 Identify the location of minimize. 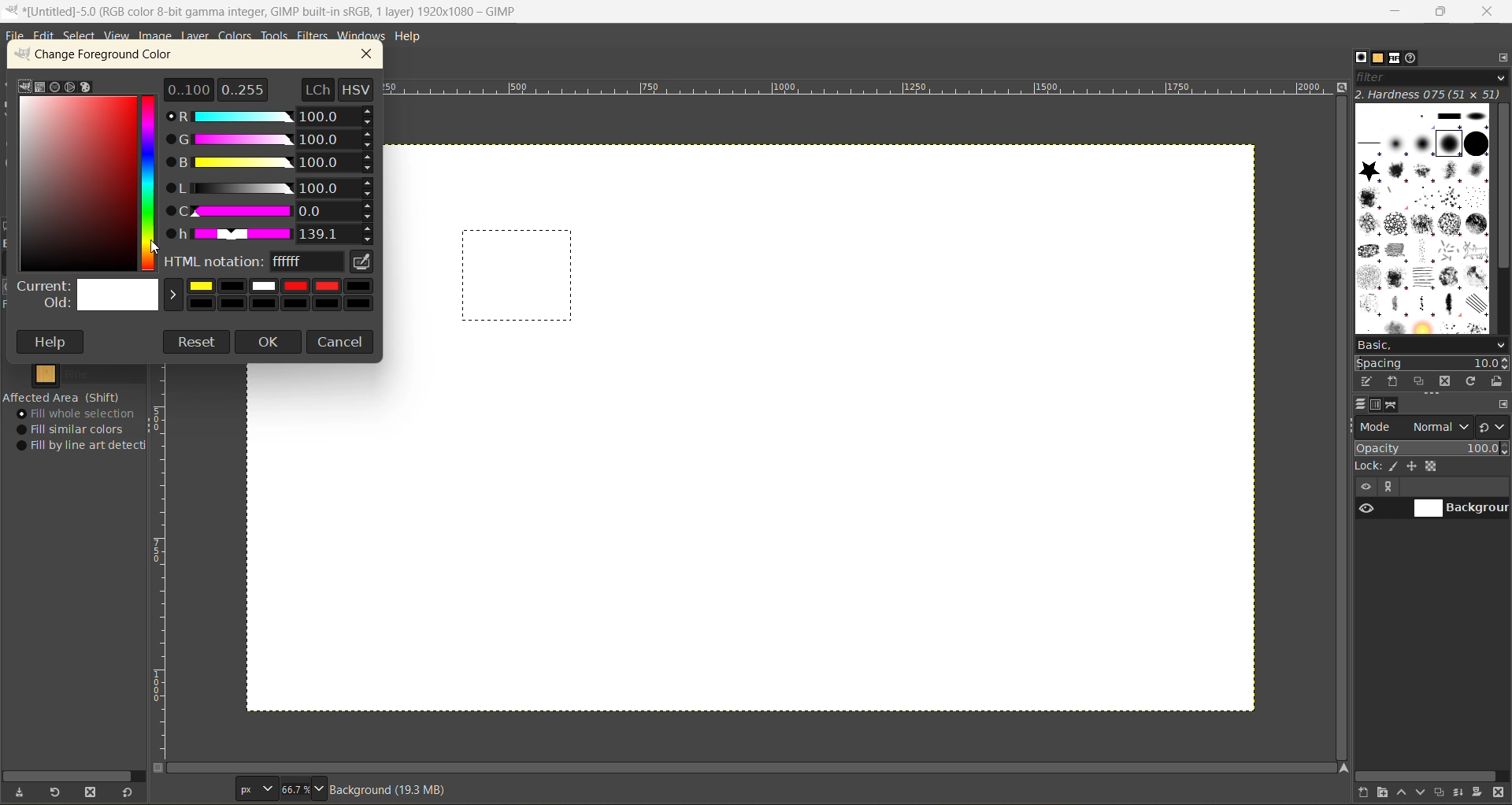
(1398, 10).